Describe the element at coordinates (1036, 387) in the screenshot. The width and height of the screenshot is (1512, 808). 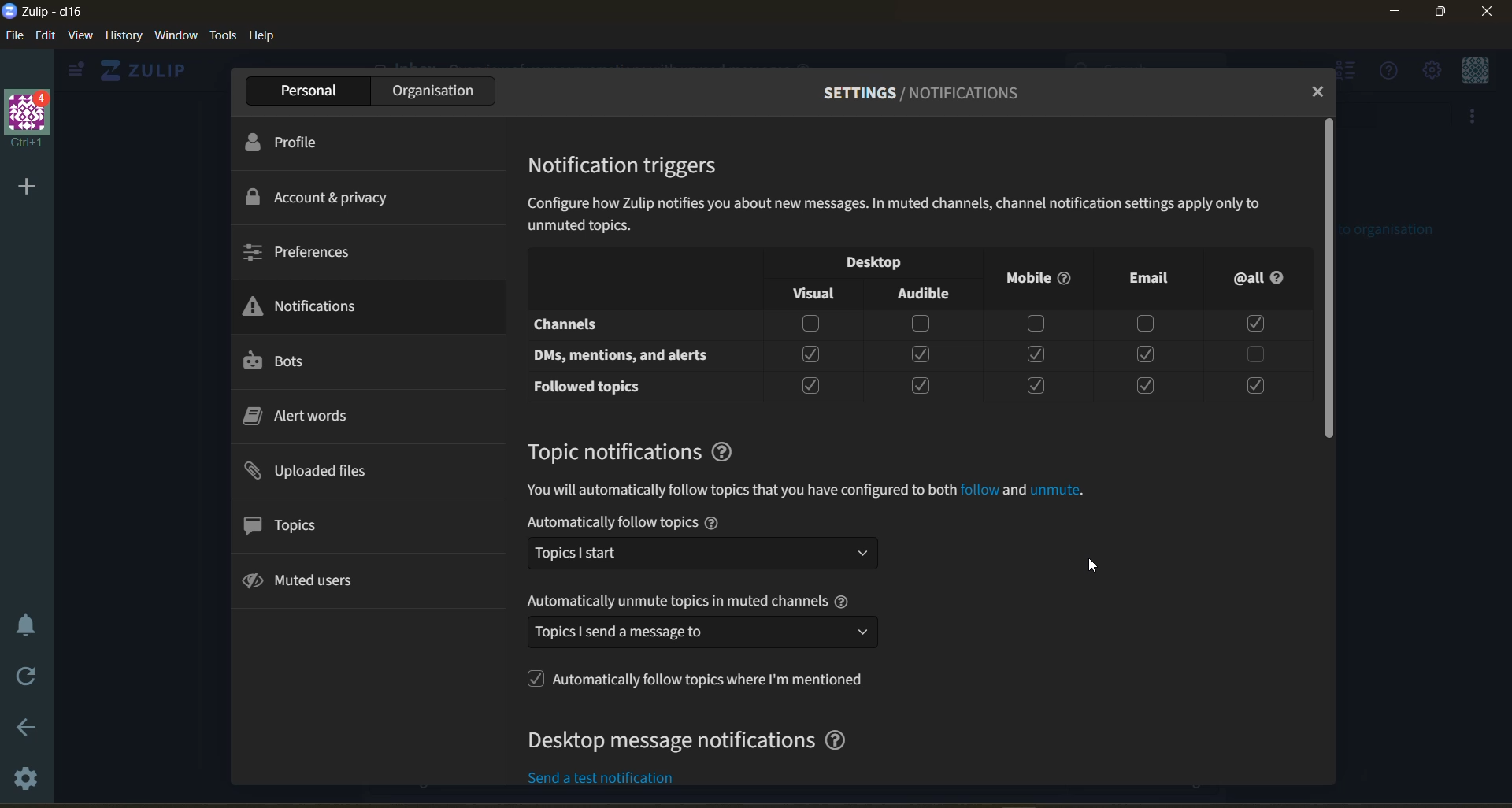
I see `Checkbox` at that location.